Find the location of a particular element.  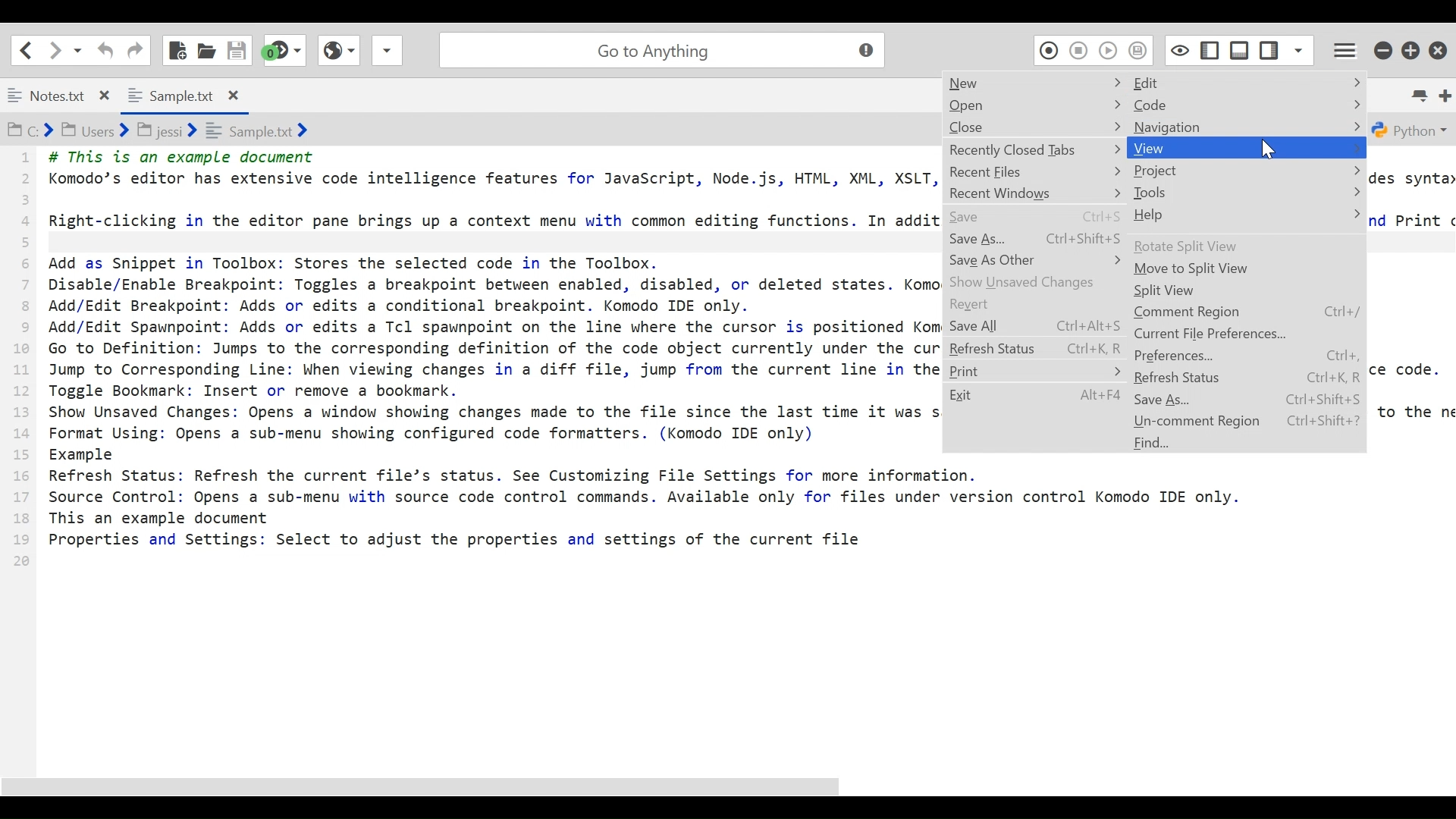

Sample.txt is located at coordinates (181, 93).